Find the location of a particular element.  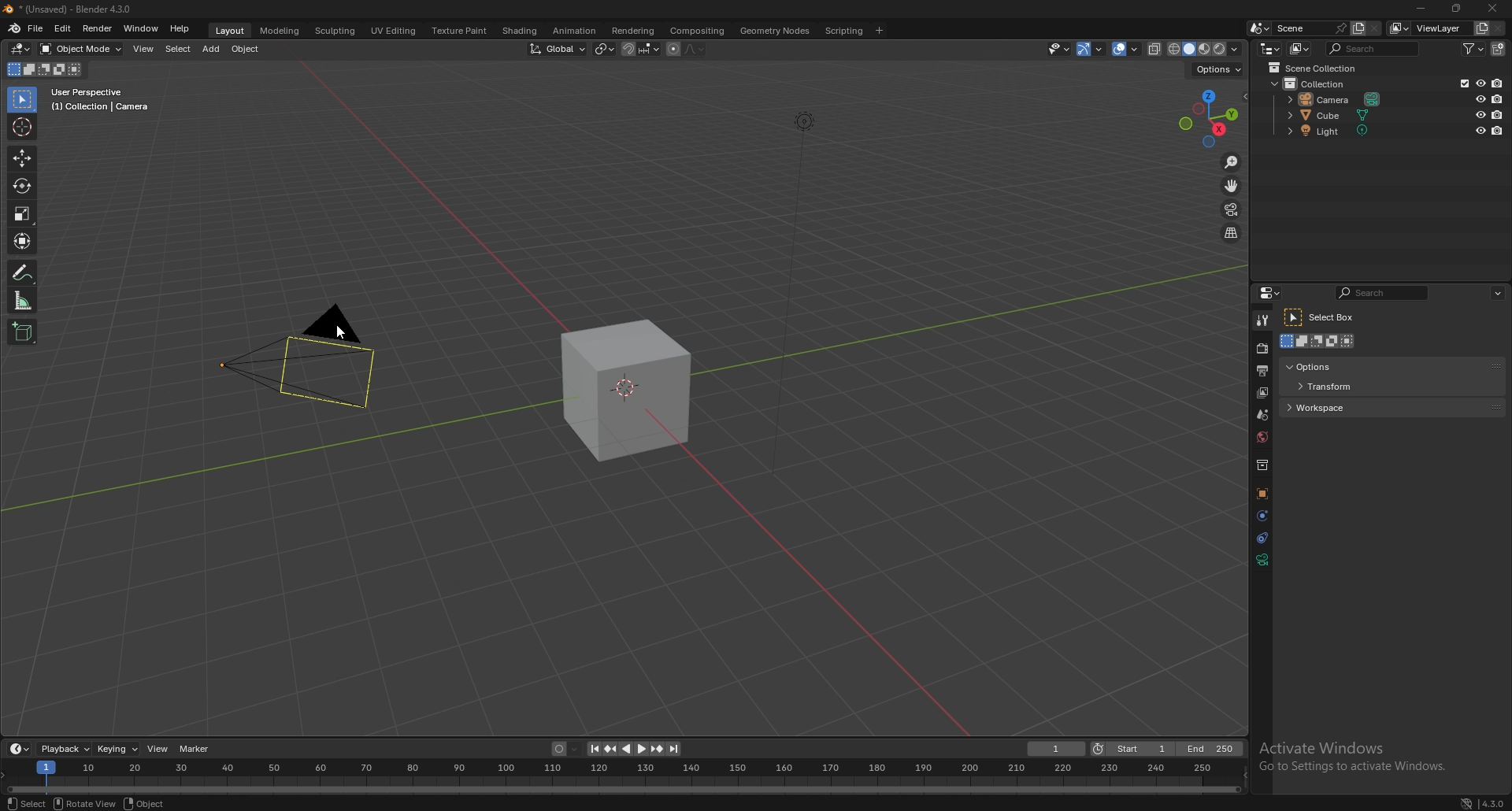

transform orientation is located at coordinates (557, 49).